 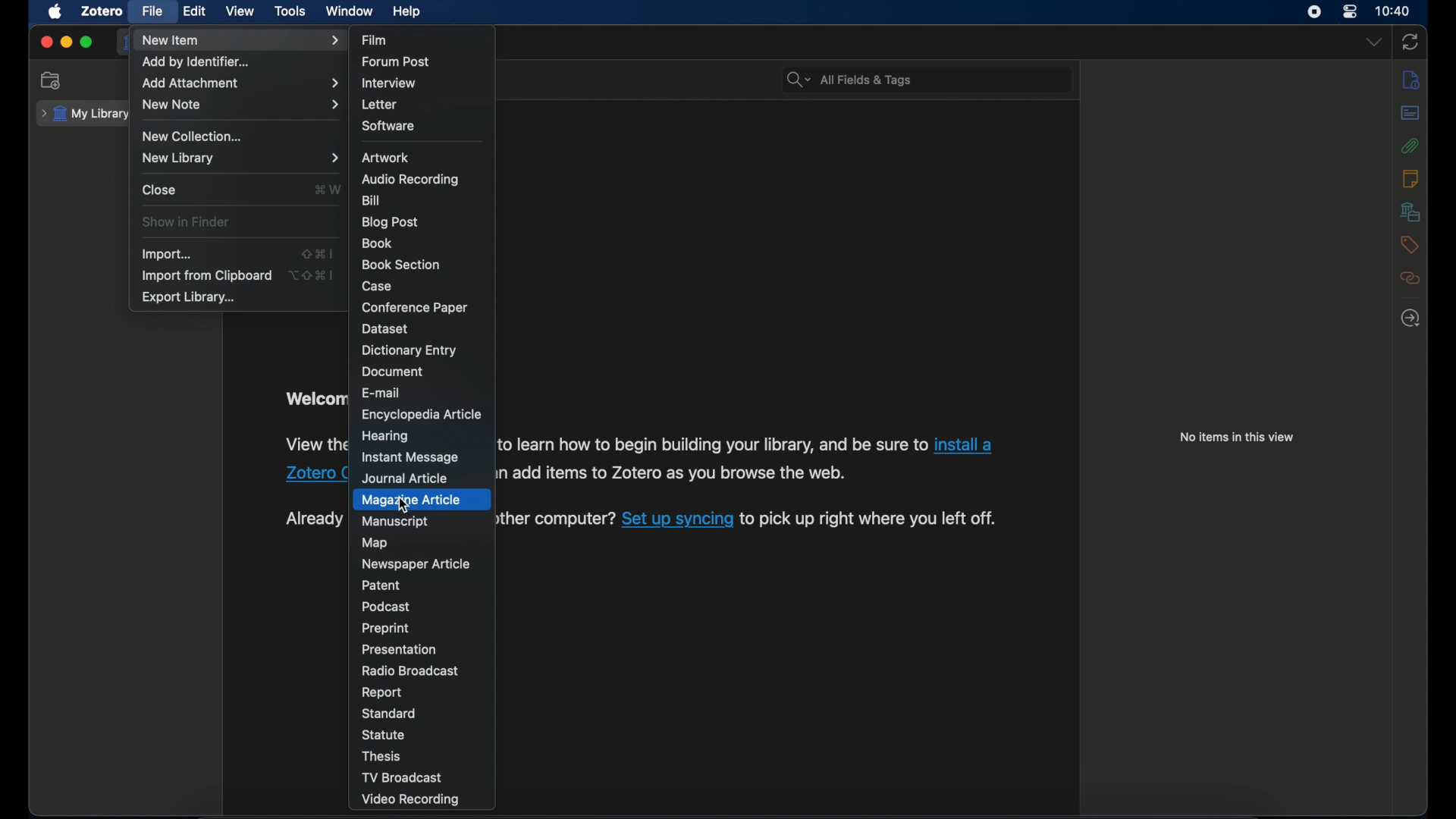 What do you see at coordinates (871, 520) in the screenshot?
I see `to pick up right where you left off` at bounding box center [871, 520].